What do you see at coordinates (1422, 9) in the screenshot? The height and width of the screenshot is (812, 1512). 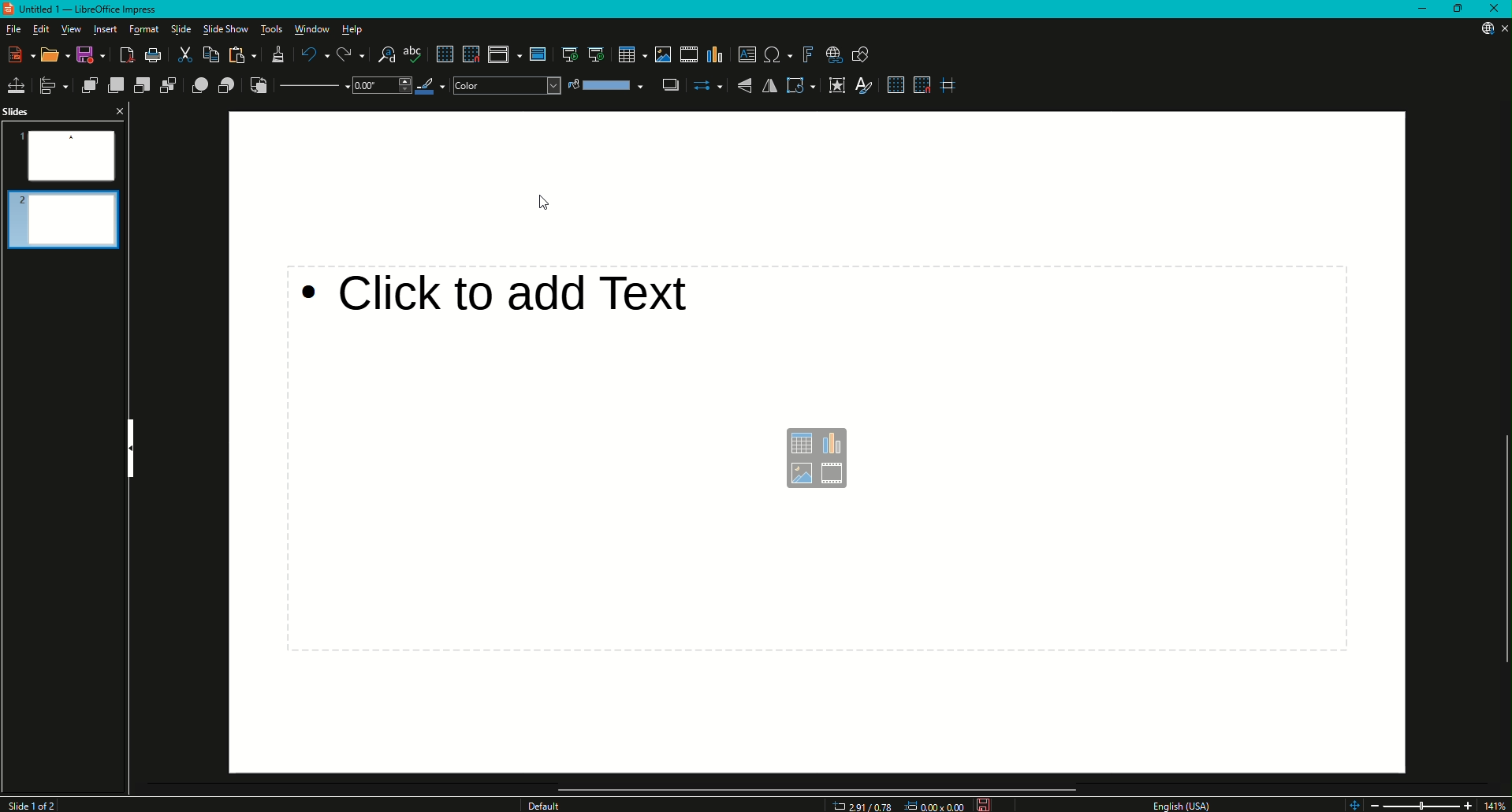 I see `Minimize` at bounding box center [1422, 9].